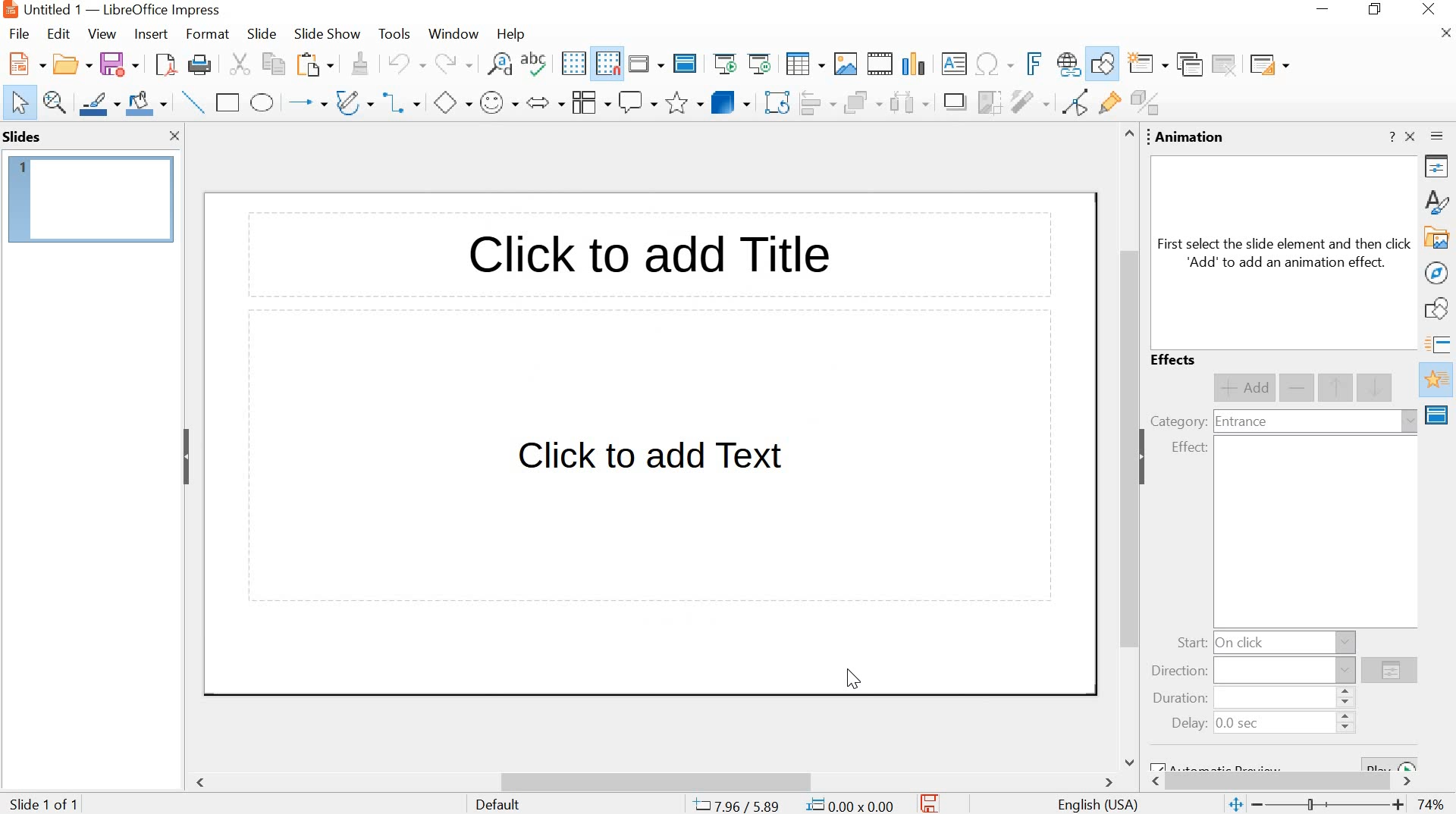 Image resolution: width=1456 pixels, height=814 pixels. Describe the element at coordinates (58, 34) in the screenshot. I see `edit menu` at that location.